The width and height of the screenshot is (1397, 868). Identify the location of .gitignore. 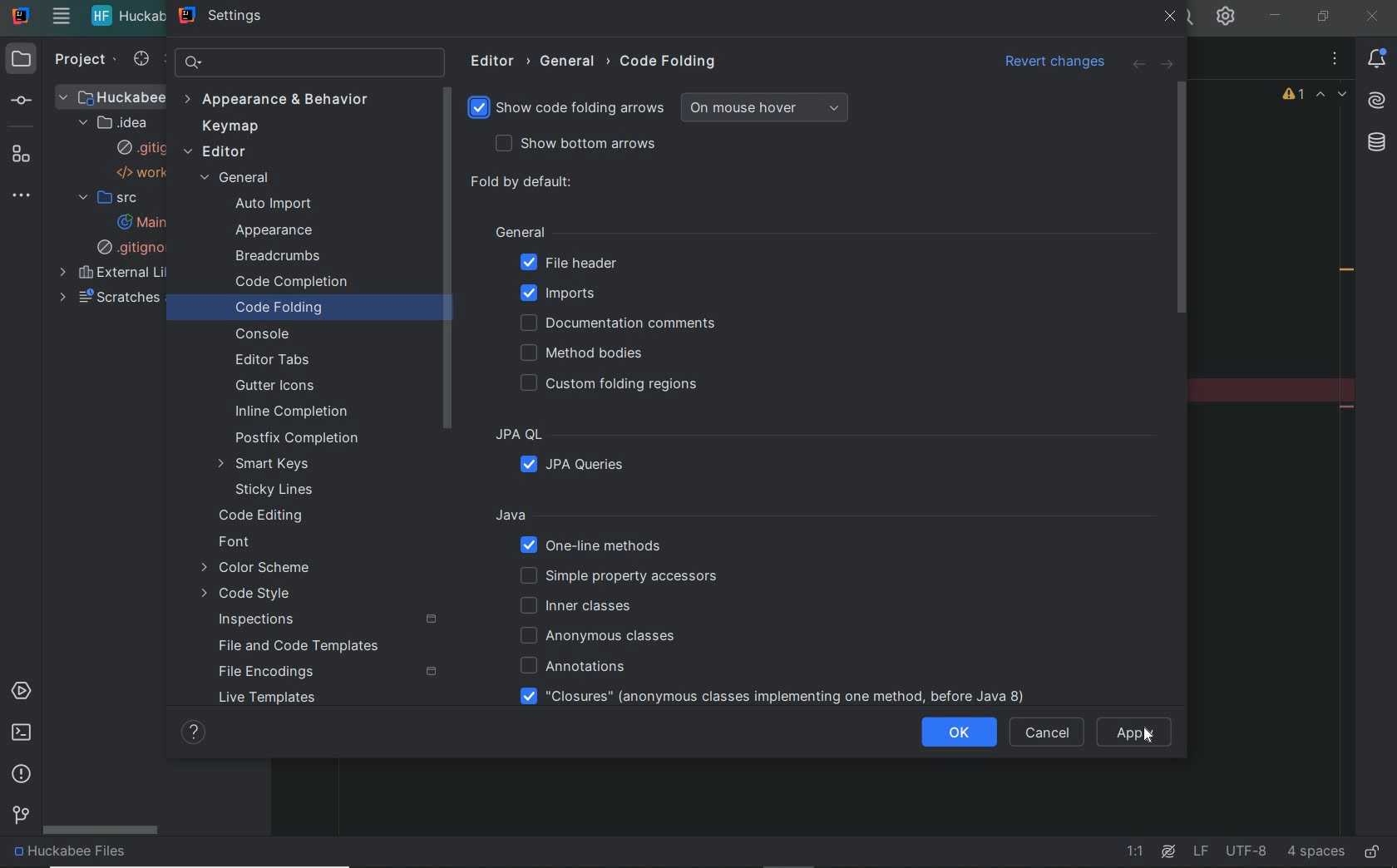
(141, 248).